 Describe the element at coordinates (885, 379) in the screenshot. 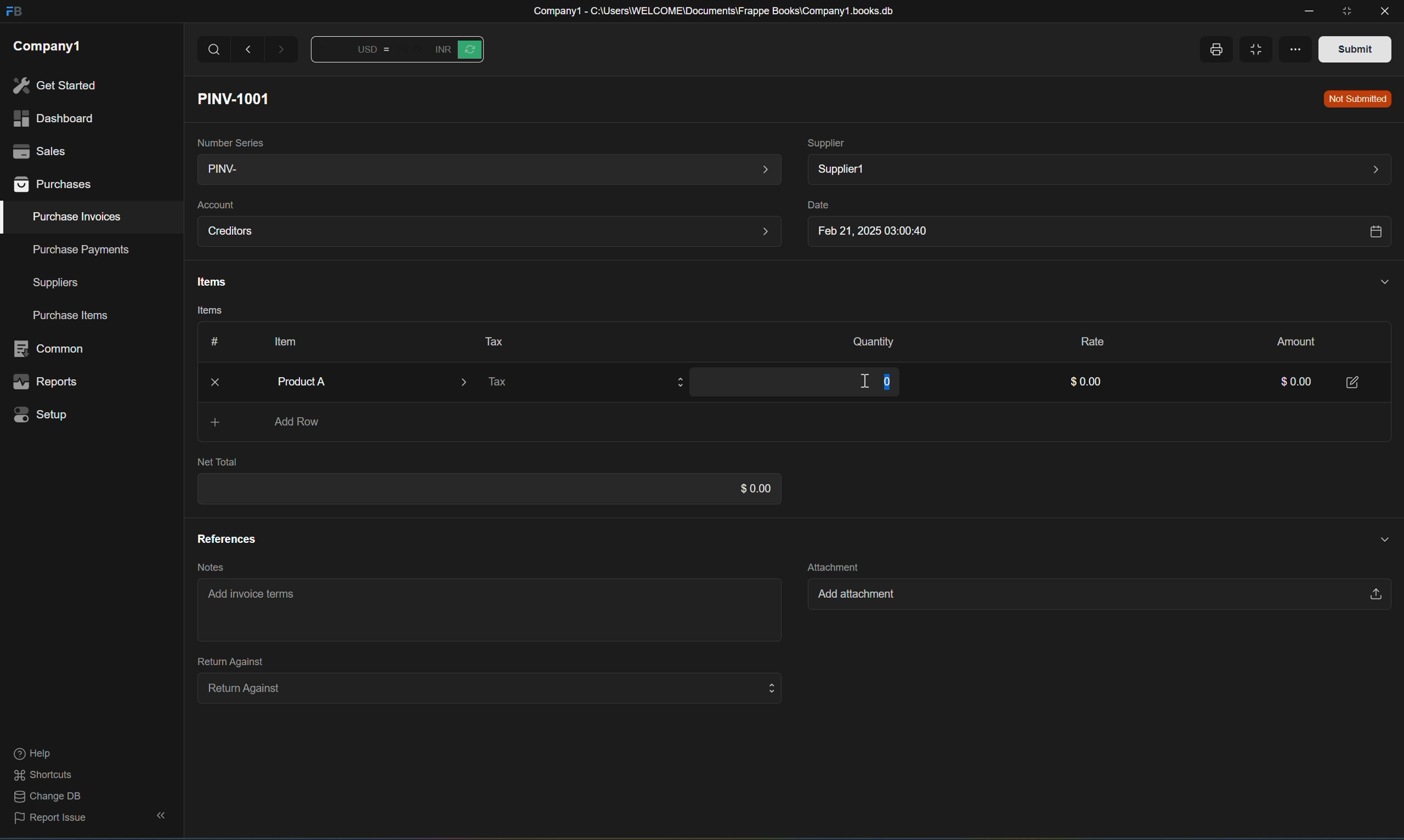

I see `0` at that location.